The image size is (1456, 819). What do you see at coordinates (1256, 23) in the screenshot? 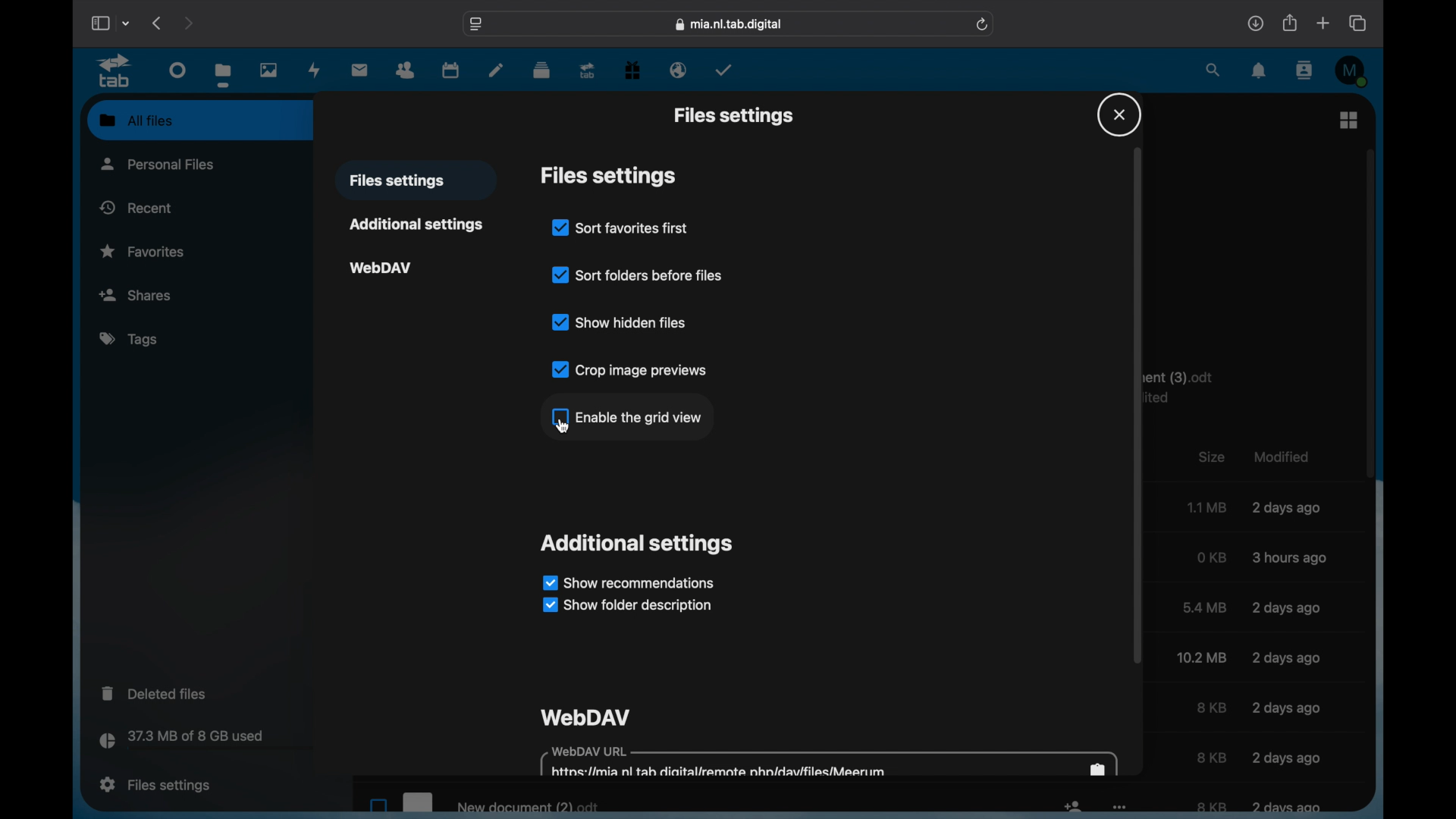
I see `downloads` at bounding box center [1256, 23].